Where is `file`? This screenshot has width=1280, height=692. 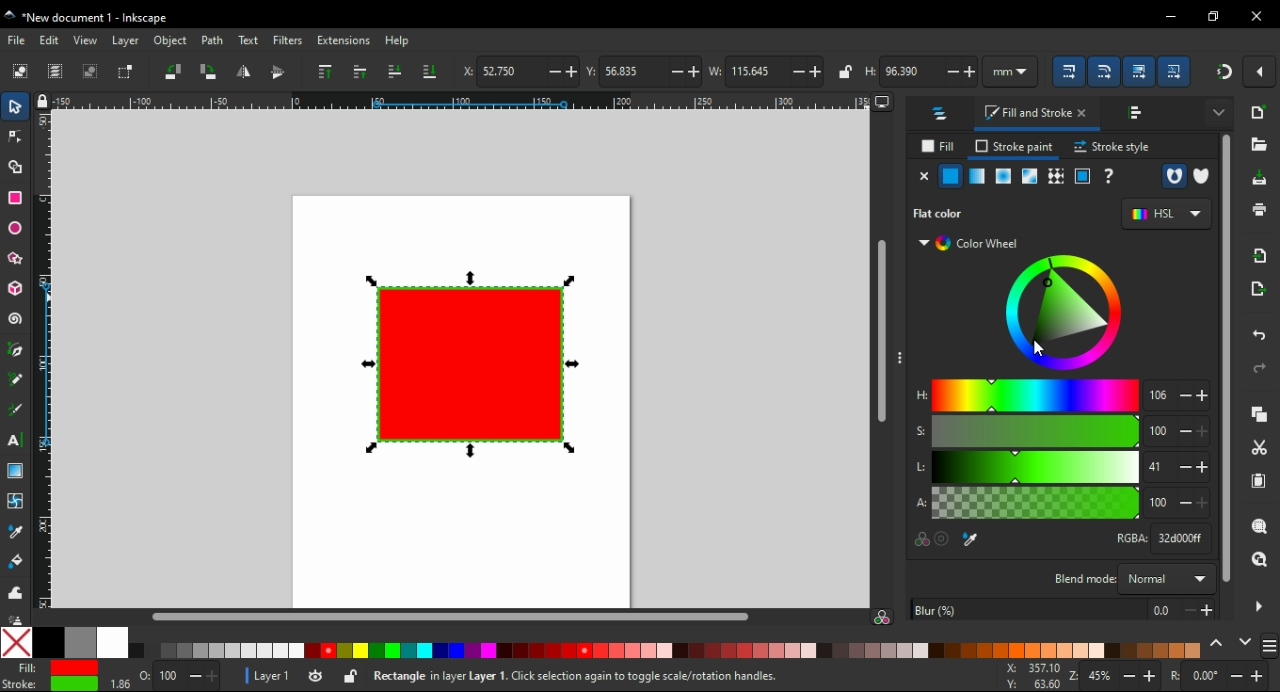 file is located at coordinates (18, 41).